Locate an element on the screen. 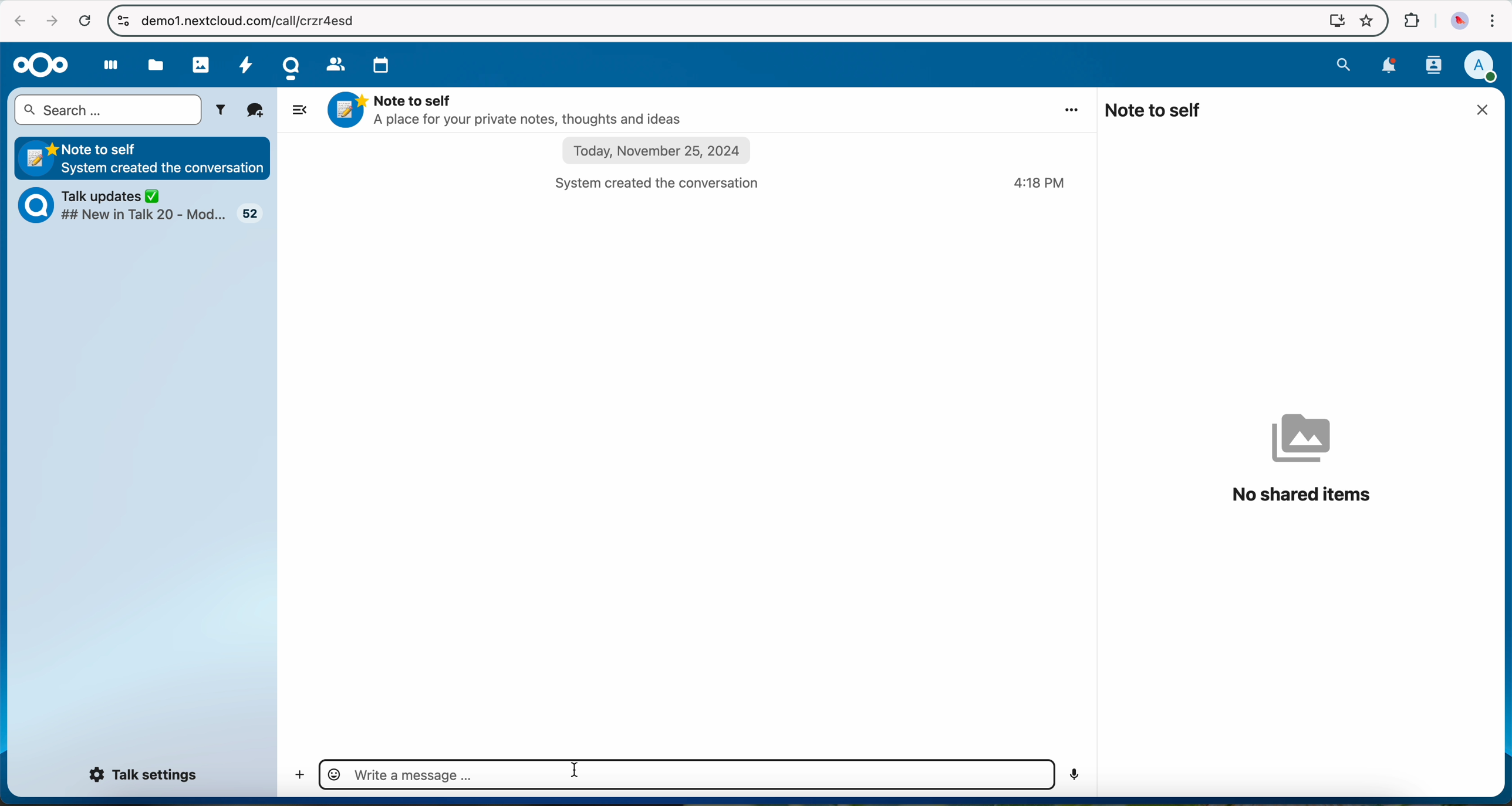 This screenshot has height=806, width=1512. hour is located at coordinates (1041, 184).